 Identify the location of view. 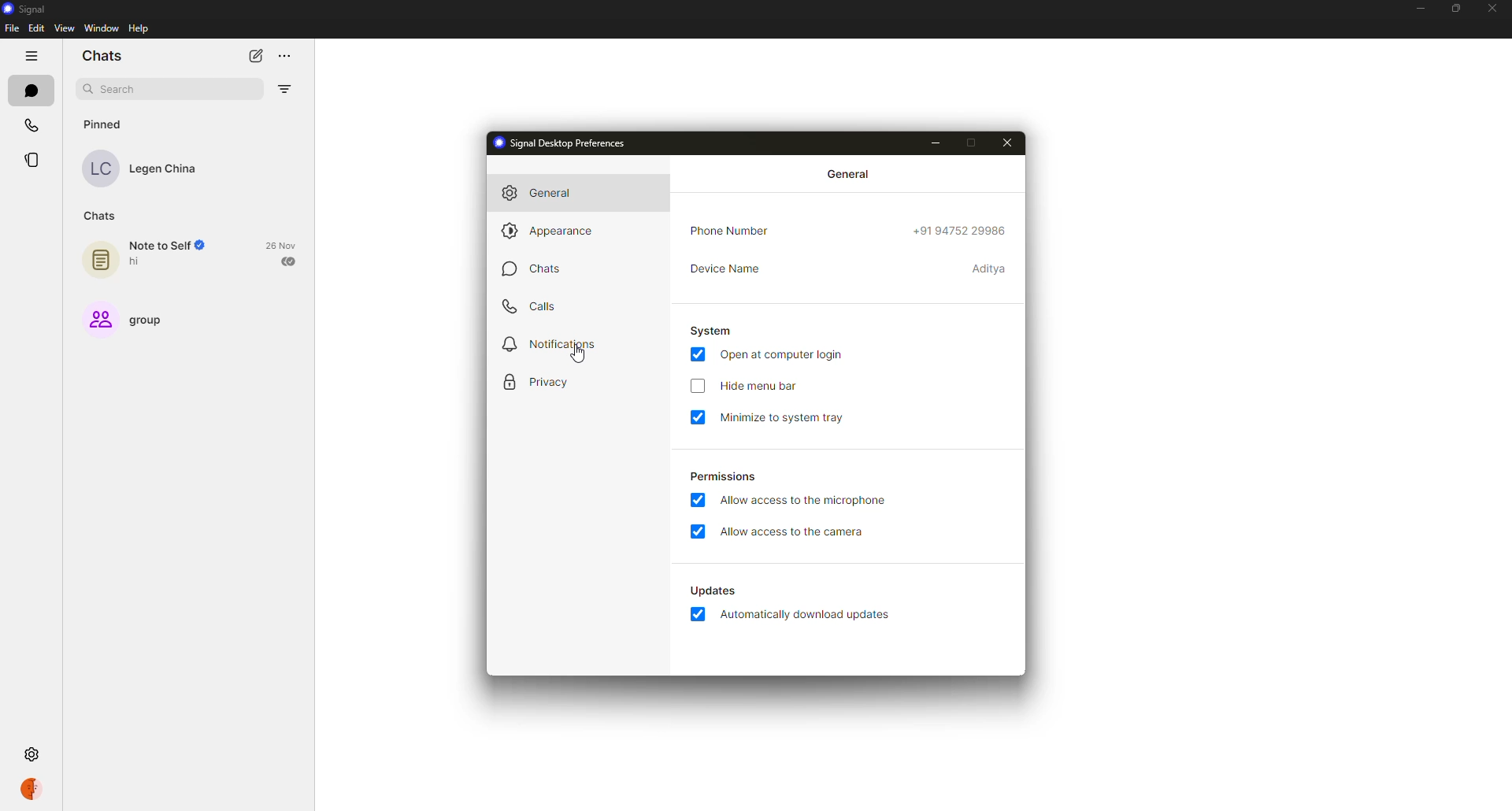
(65, 29).